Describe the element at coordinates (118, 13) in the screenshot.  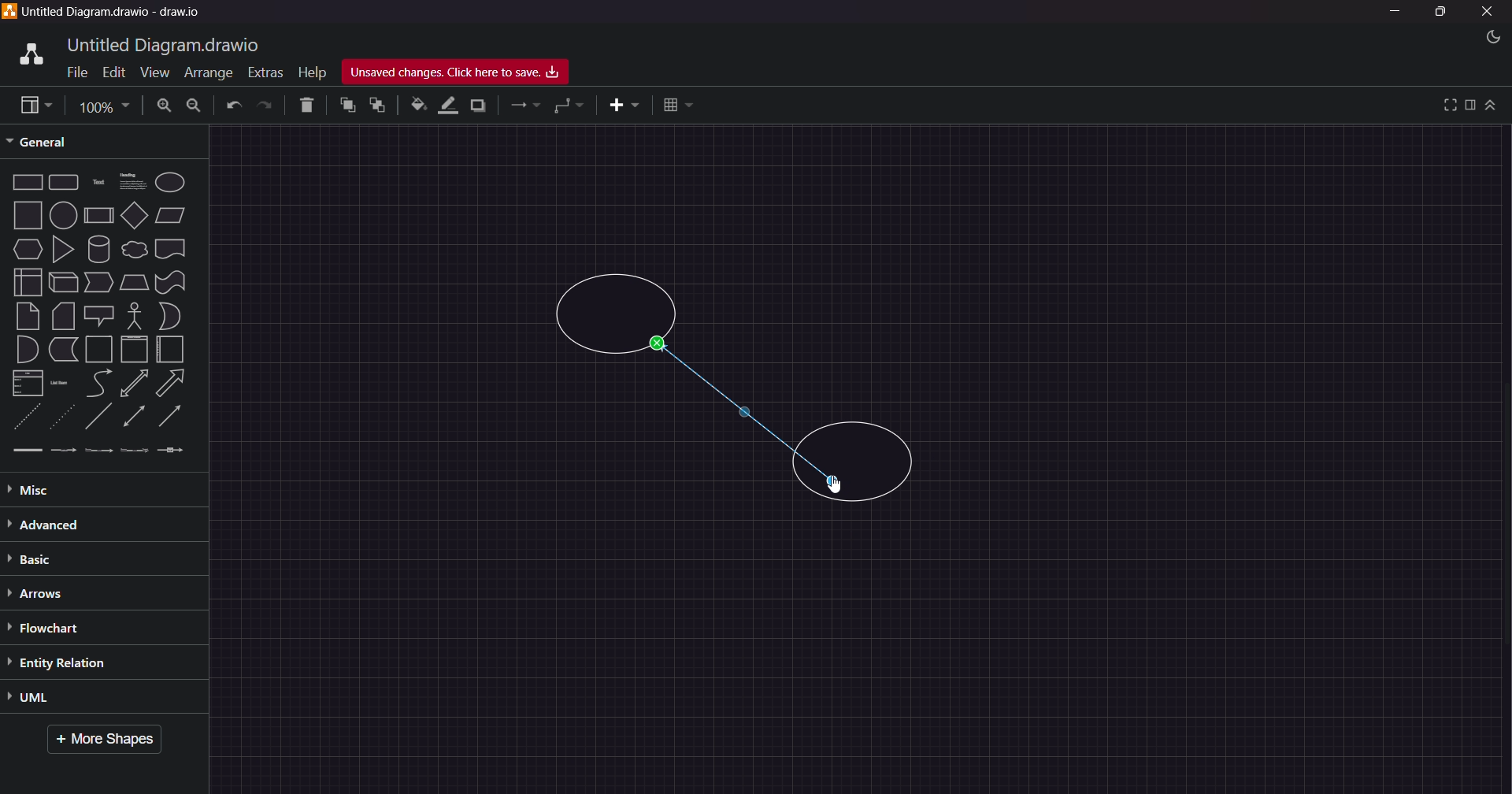
I see `Title` at that location.